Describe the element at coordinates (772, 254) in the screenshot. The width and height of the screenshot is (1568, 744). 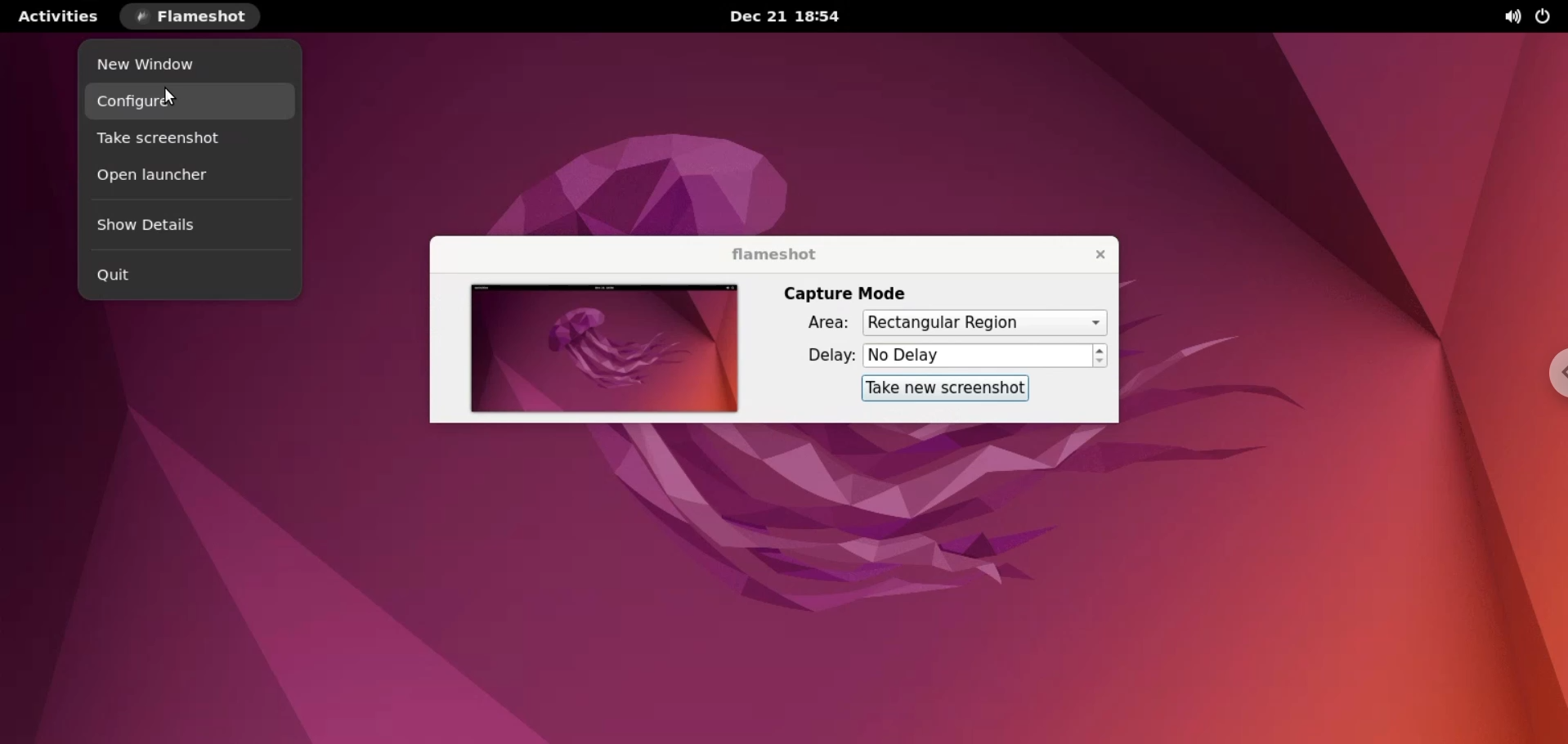
I see `flameshot` at that location.